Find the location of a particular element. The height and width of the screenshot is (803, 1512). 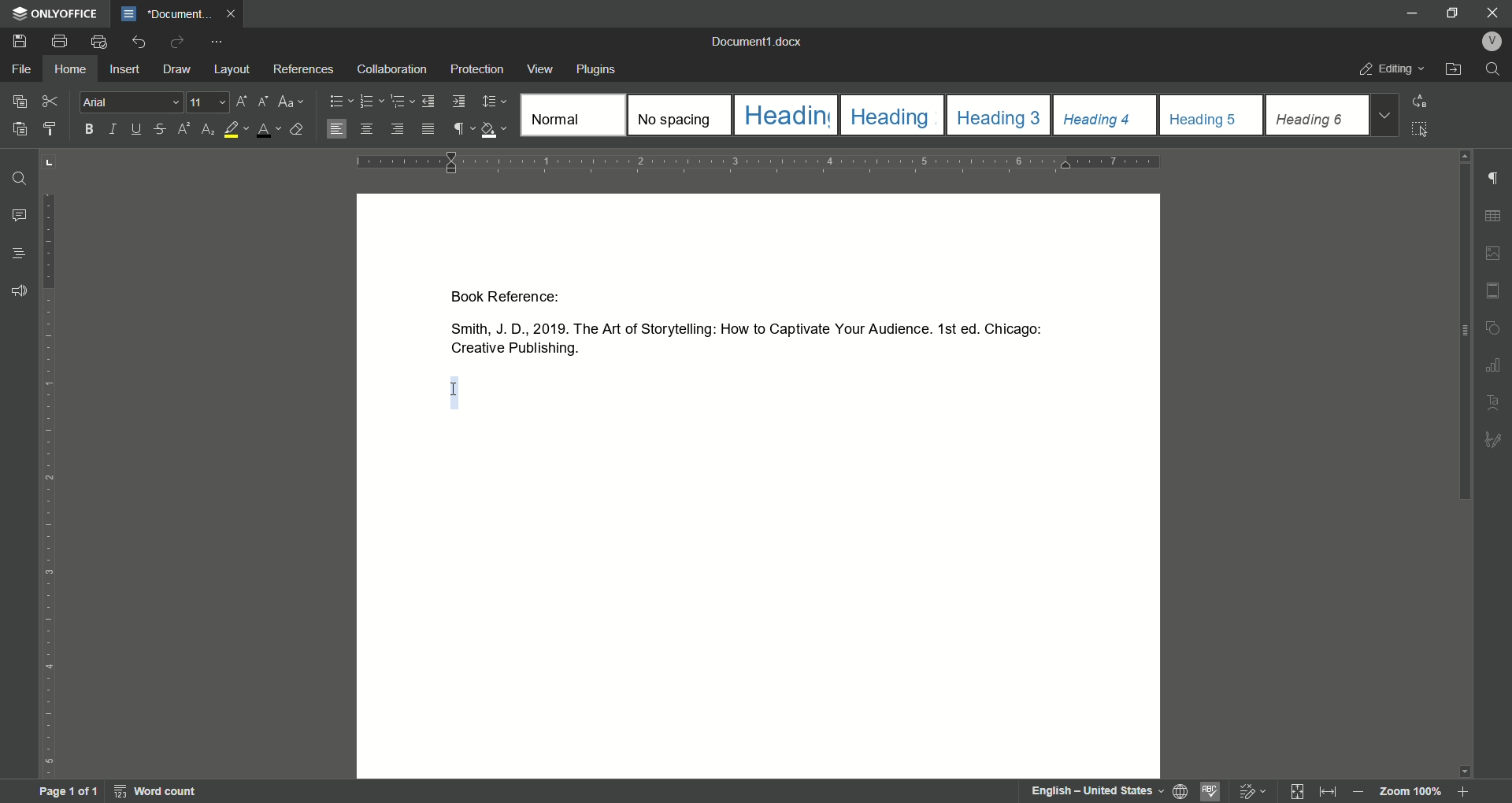

replace is located at coordinates (1426, 101).